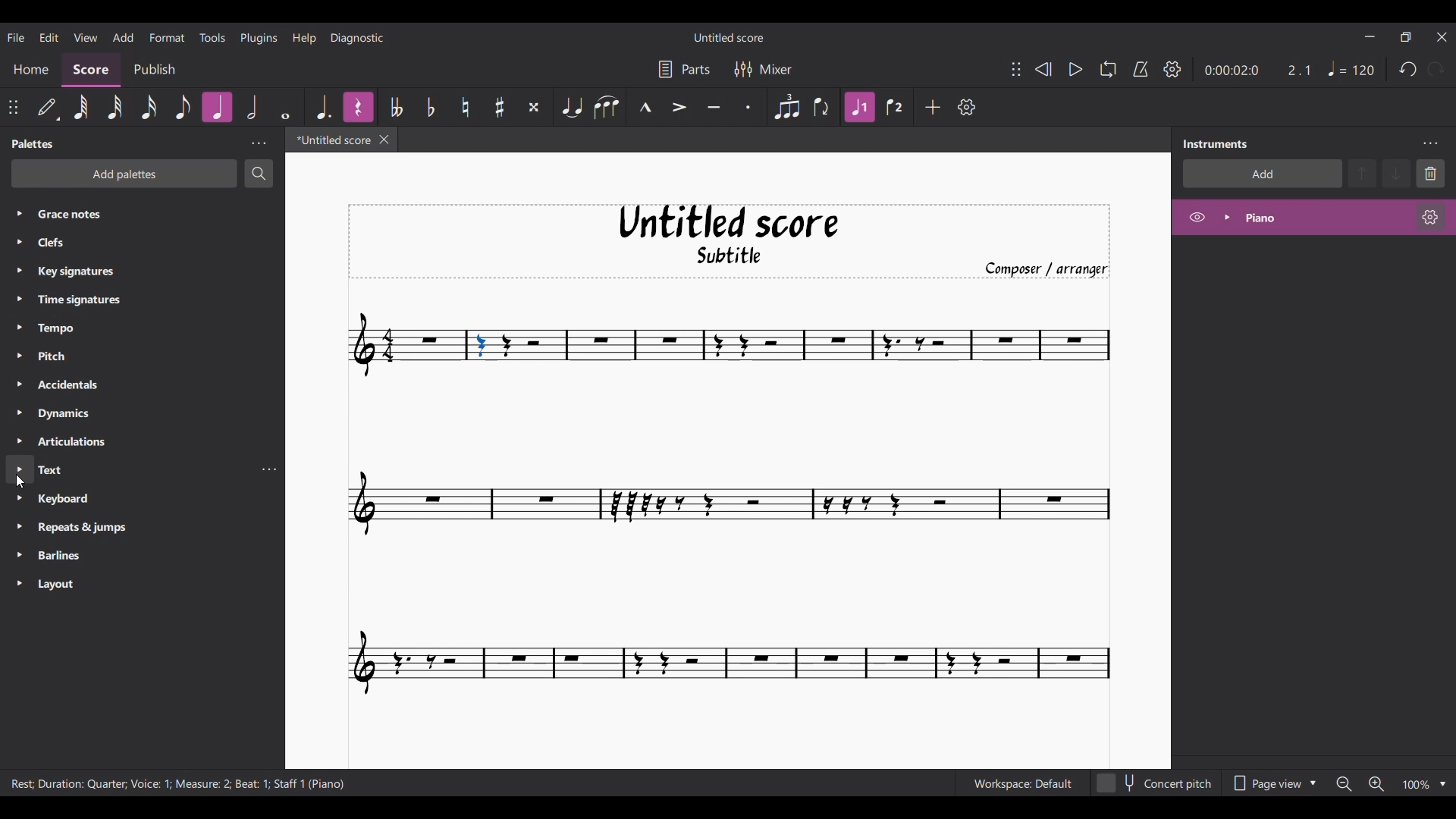 This screenshot has height=819, width=1456. What do you see at coordinates (431, 107) in the screenshot?
I see `Toggle flat` at bounding box center [431, 107].